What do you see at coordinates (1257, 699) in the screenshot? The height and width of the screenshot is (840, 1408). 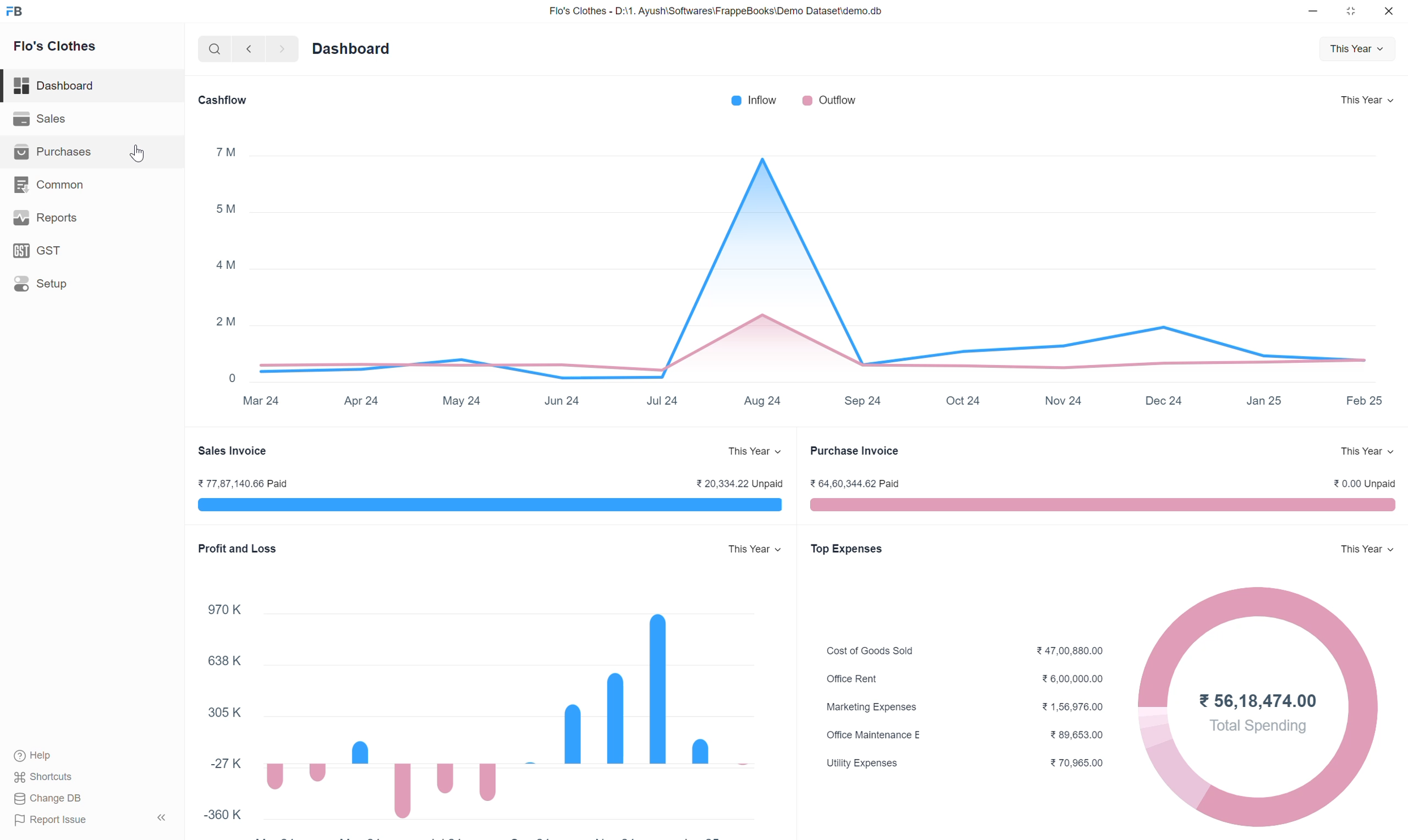 I see `56,18,474.00` at bounding box center [1257, 699].